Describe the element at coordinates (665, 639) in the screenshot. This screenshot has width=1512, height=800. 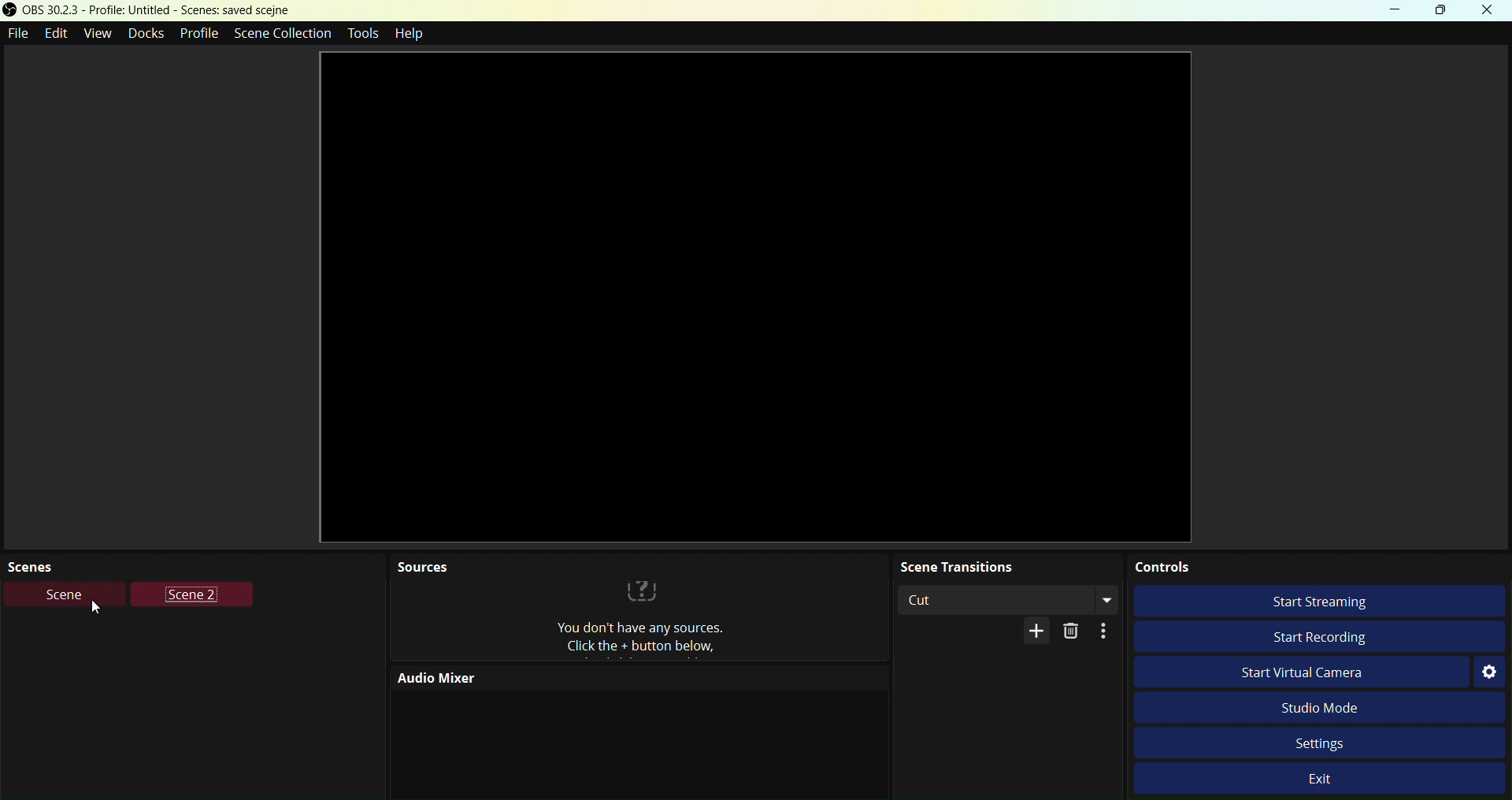
I see `Sources` at that location.